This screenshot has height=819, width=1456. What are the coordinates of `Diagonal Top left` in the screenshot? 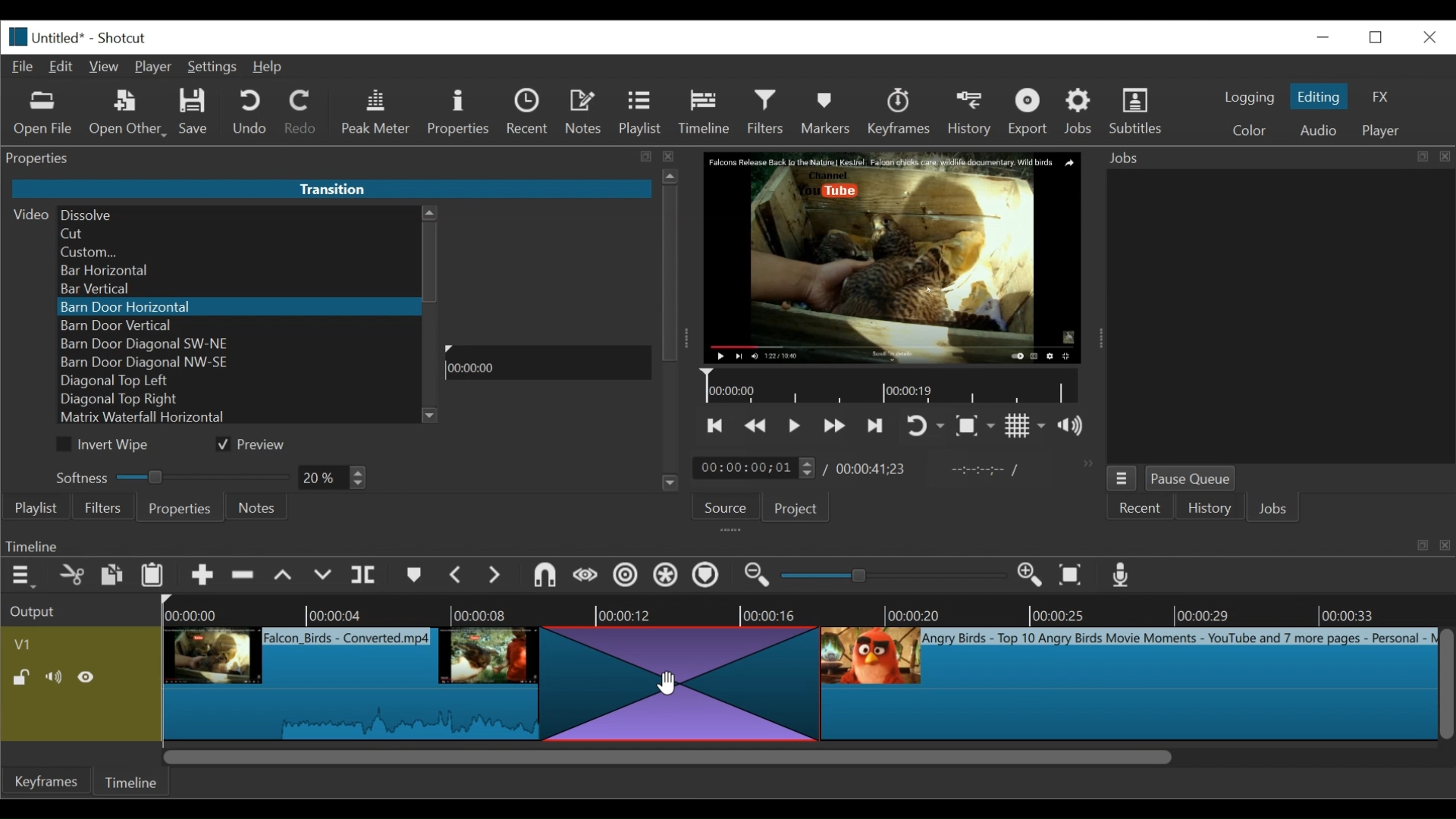 It's located at (239, 381).